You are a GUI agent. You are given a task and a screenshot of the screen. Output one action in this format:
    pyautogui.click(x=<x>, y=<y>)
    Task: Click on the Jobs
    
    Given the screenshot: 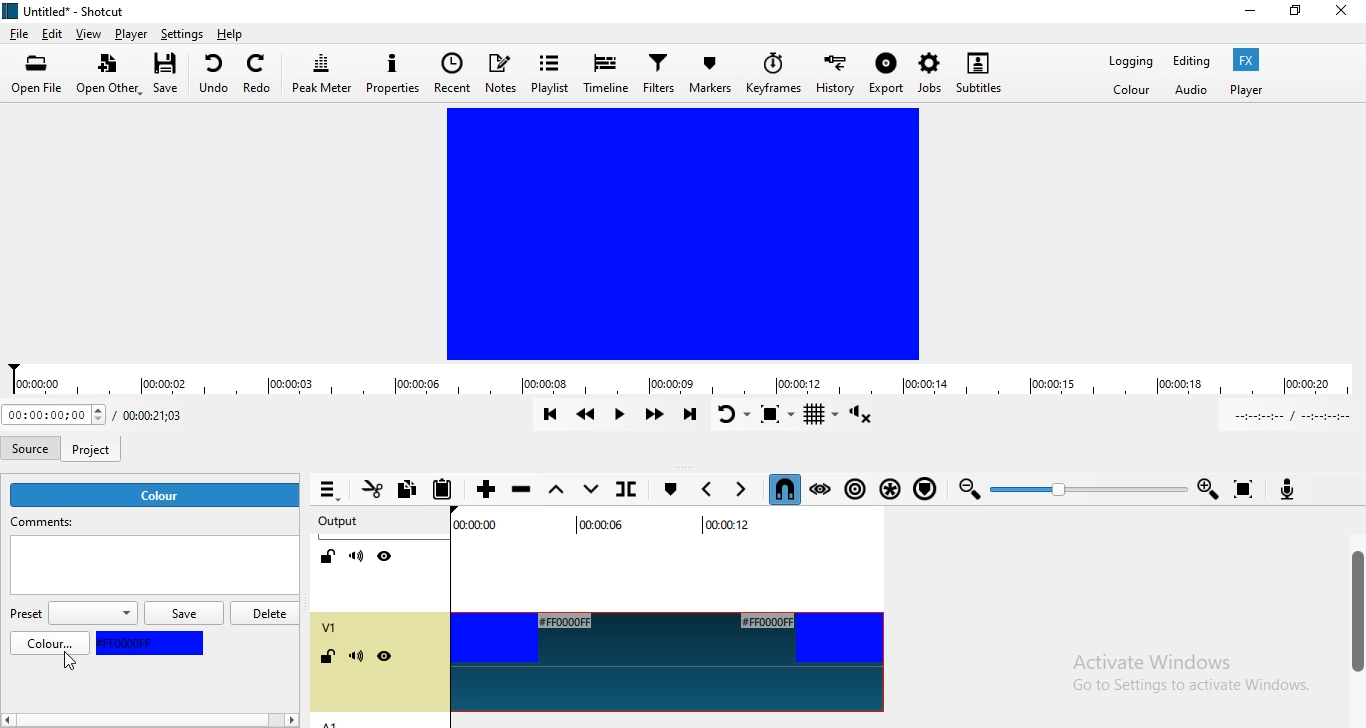 What is the action you would take?
    pyautogui.click(x=929, y=71)
    